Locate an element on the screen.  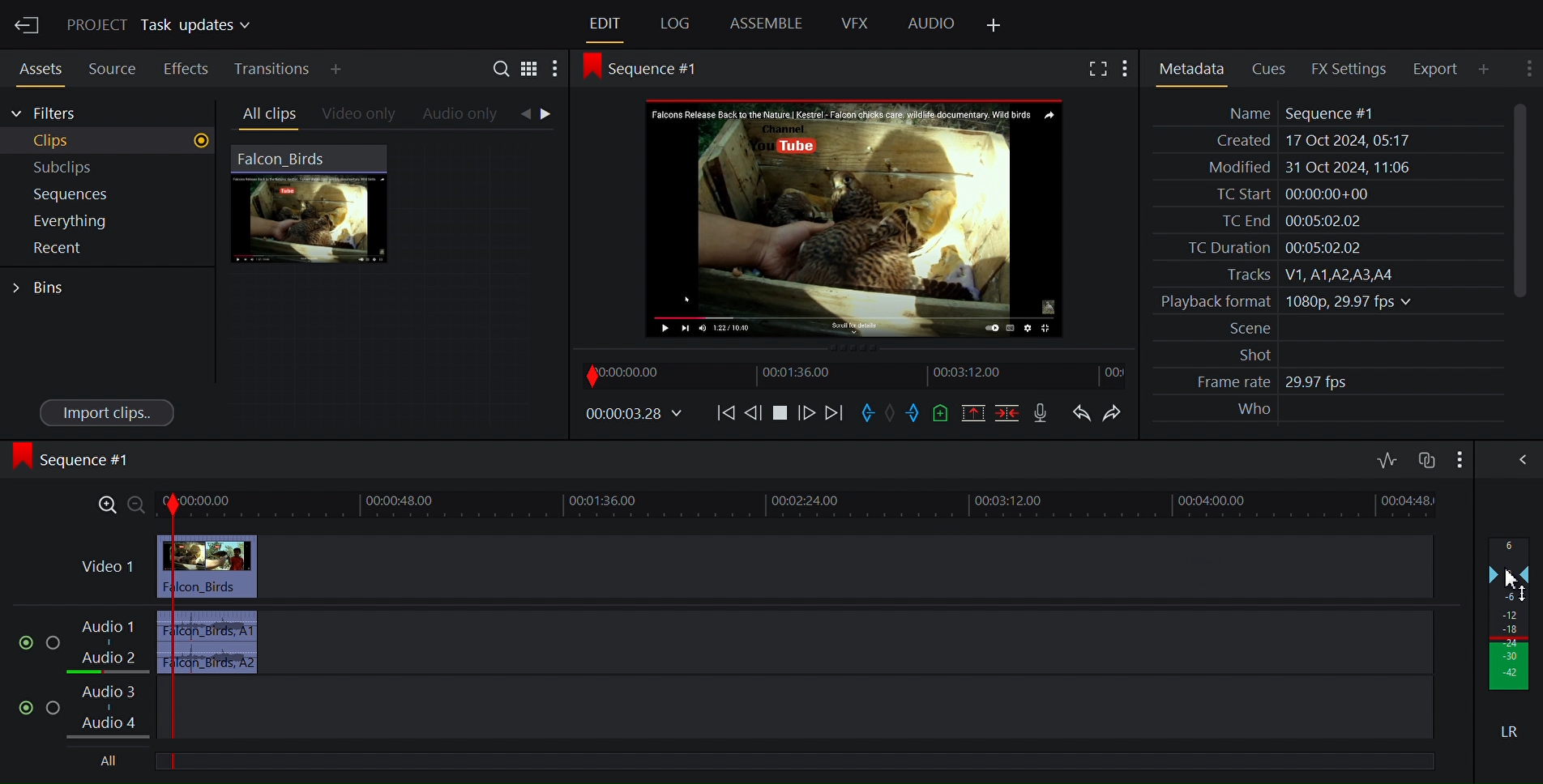
Scene is located at coordinates (1242, 329).